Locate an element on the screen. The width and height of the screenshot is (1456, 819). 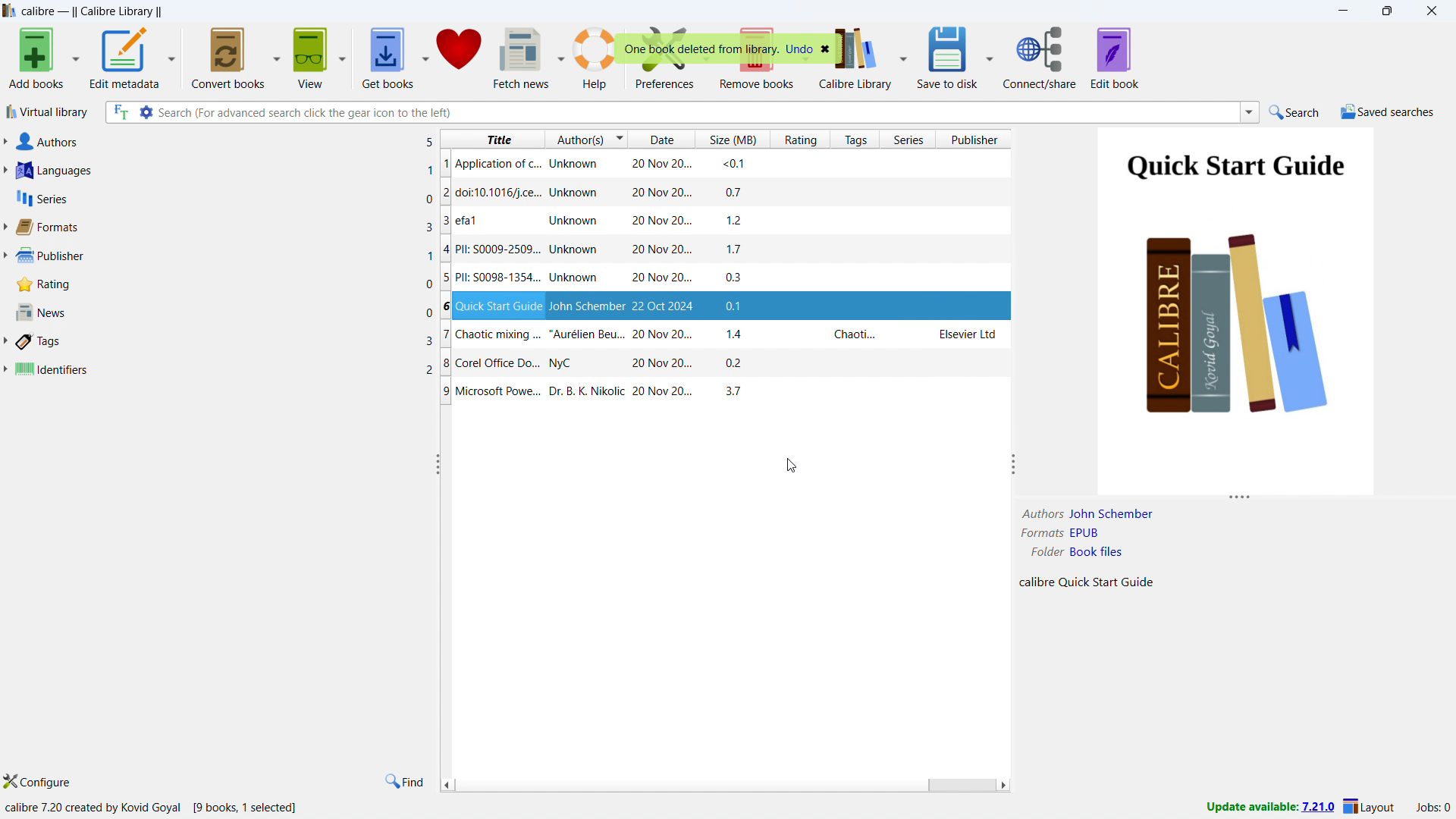
active jobs is located at coordinates (1433, 808).